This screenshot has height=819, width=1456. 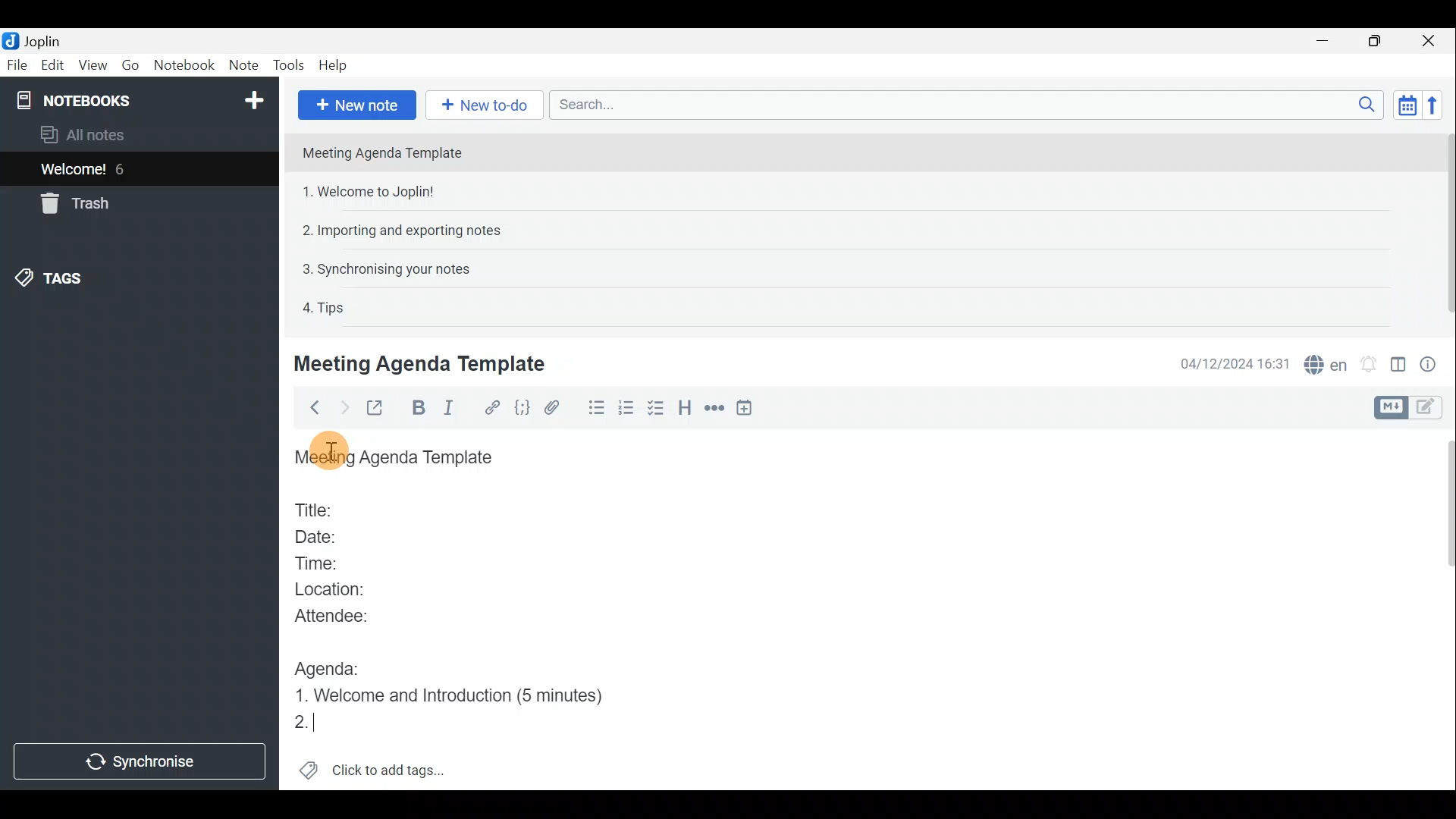 I want to click on Toggle editors, so click(x=1429, y=409).